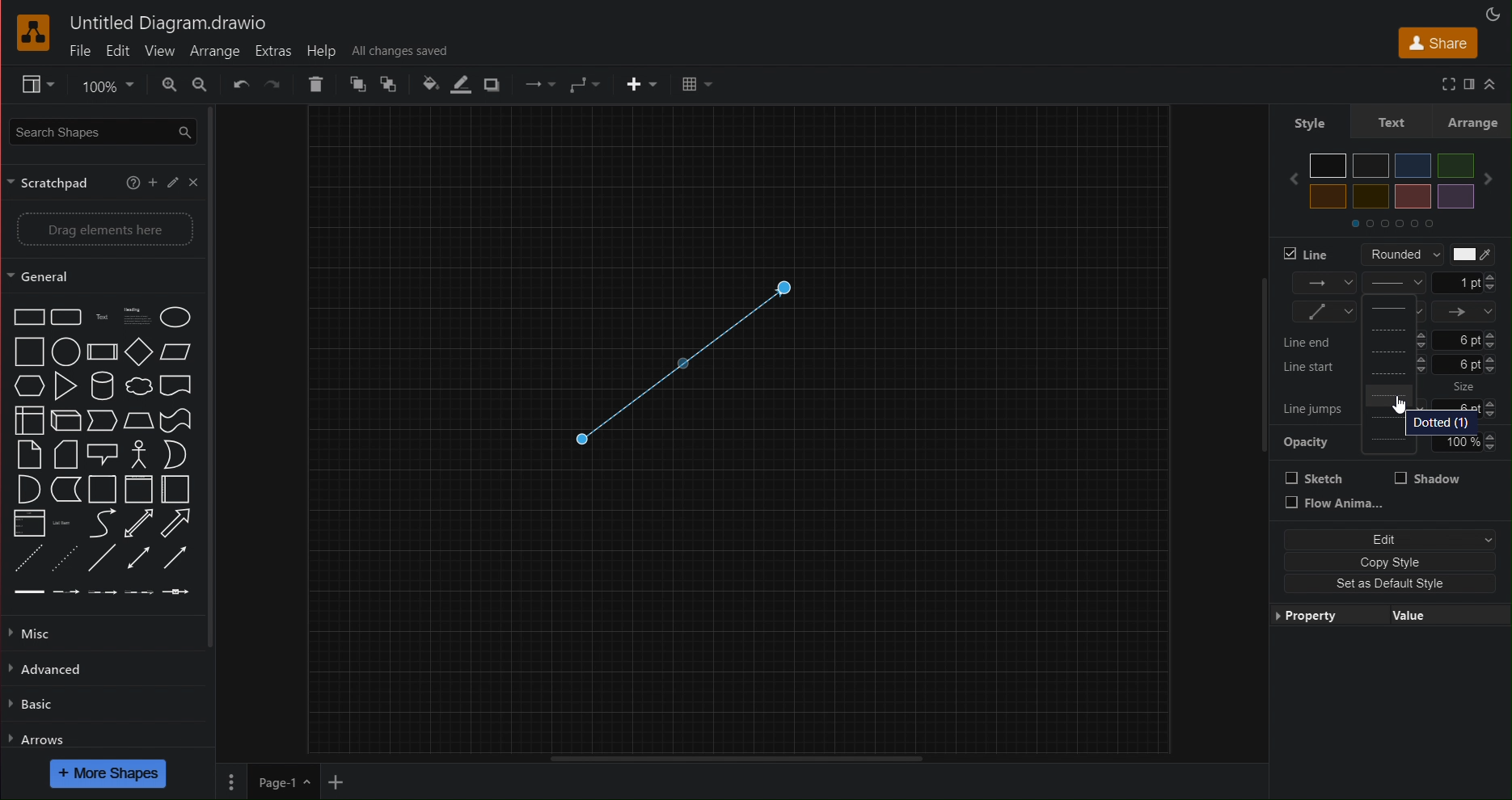  I want to click on Straight Line (selected), so click(679, 364).